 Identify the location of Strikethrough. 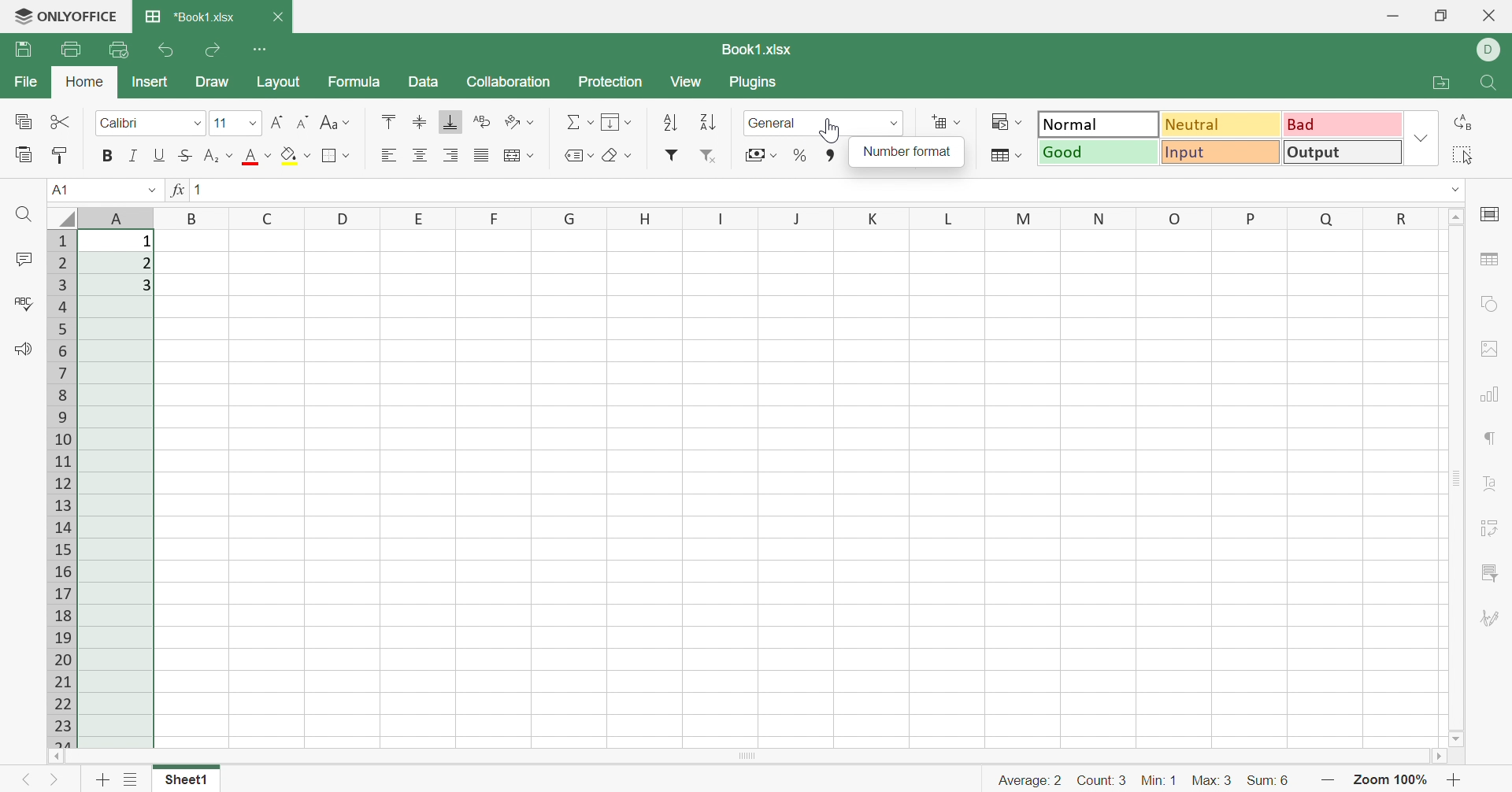
(187, 154).